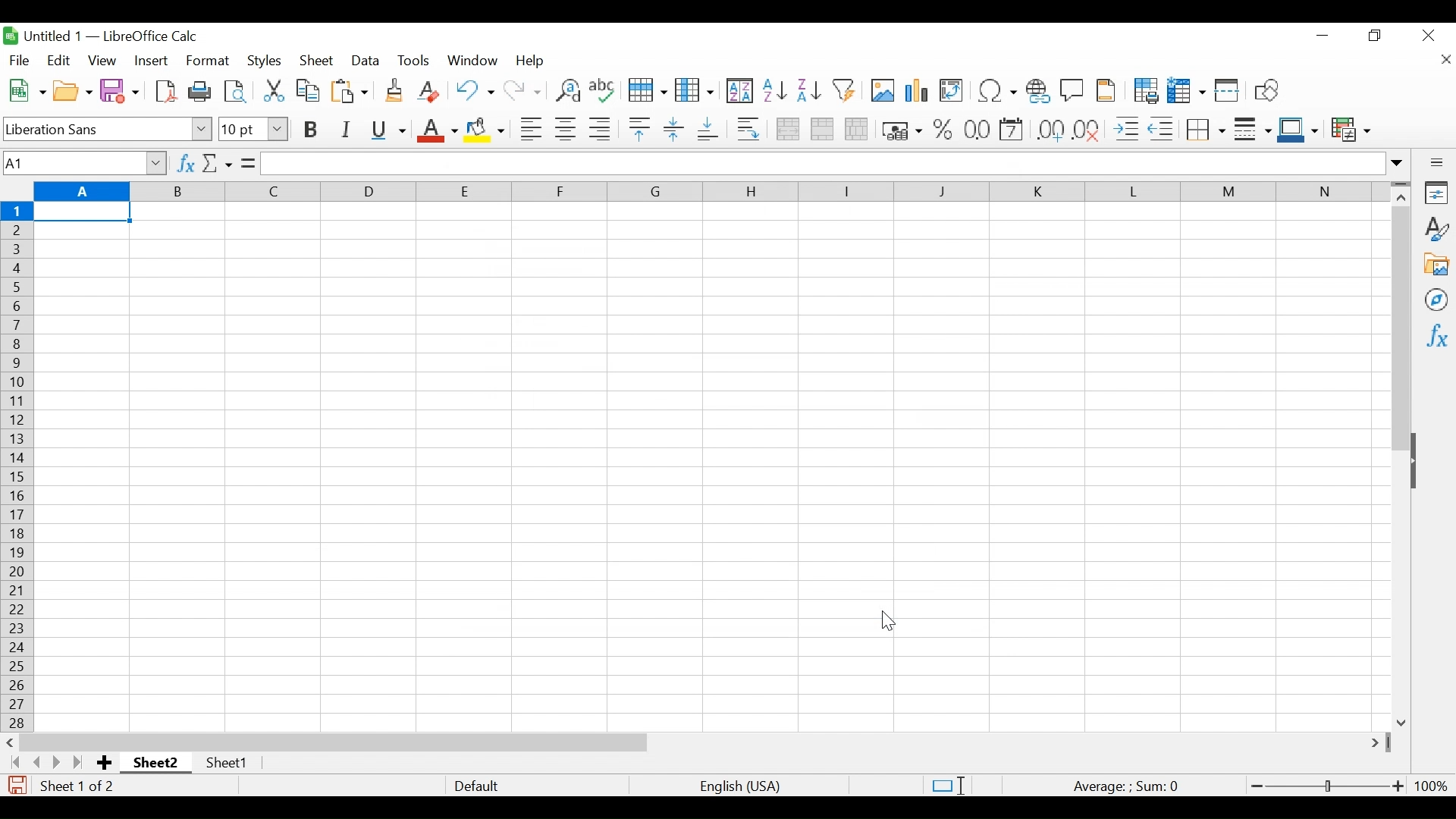 The width and height of the screenshot is (1456, 819). I want to click on Horizontal Scroll bar, so click(334, 742).